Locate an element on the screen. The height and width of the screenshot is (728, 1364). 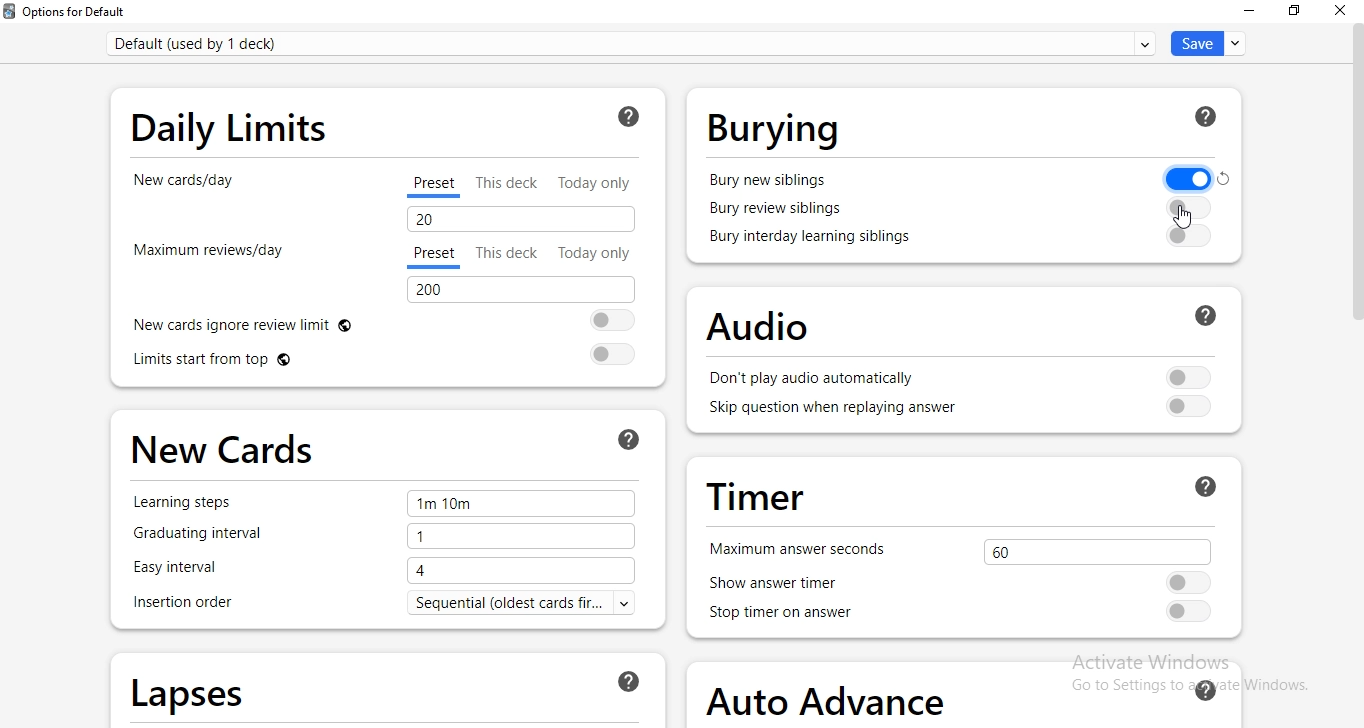
ask is located at coordinates (631, 681).